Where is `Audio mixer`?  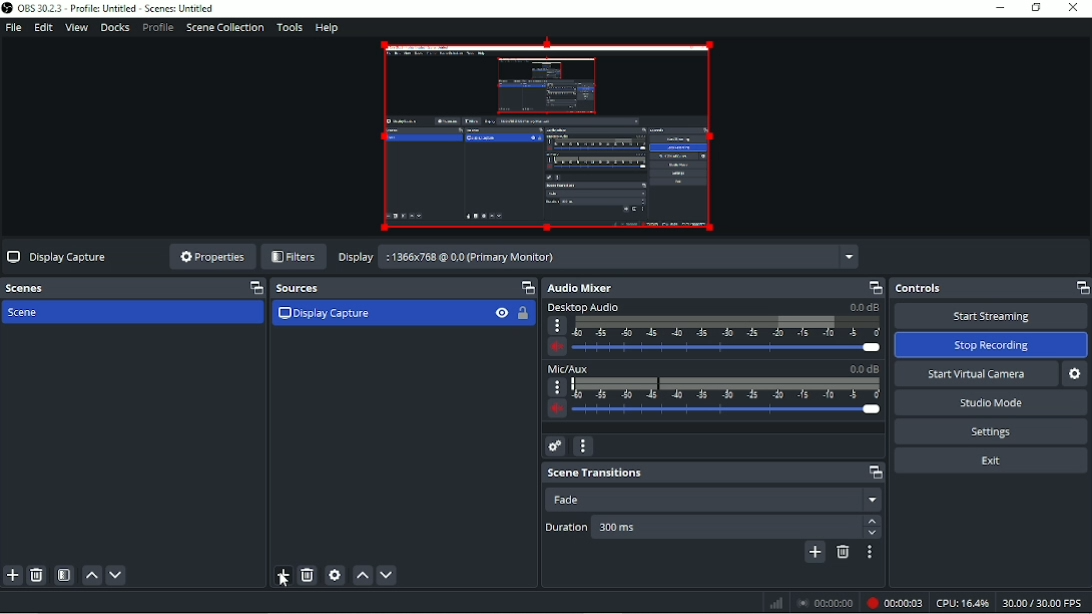
Audio mixer is located at coordinates (715, 286).